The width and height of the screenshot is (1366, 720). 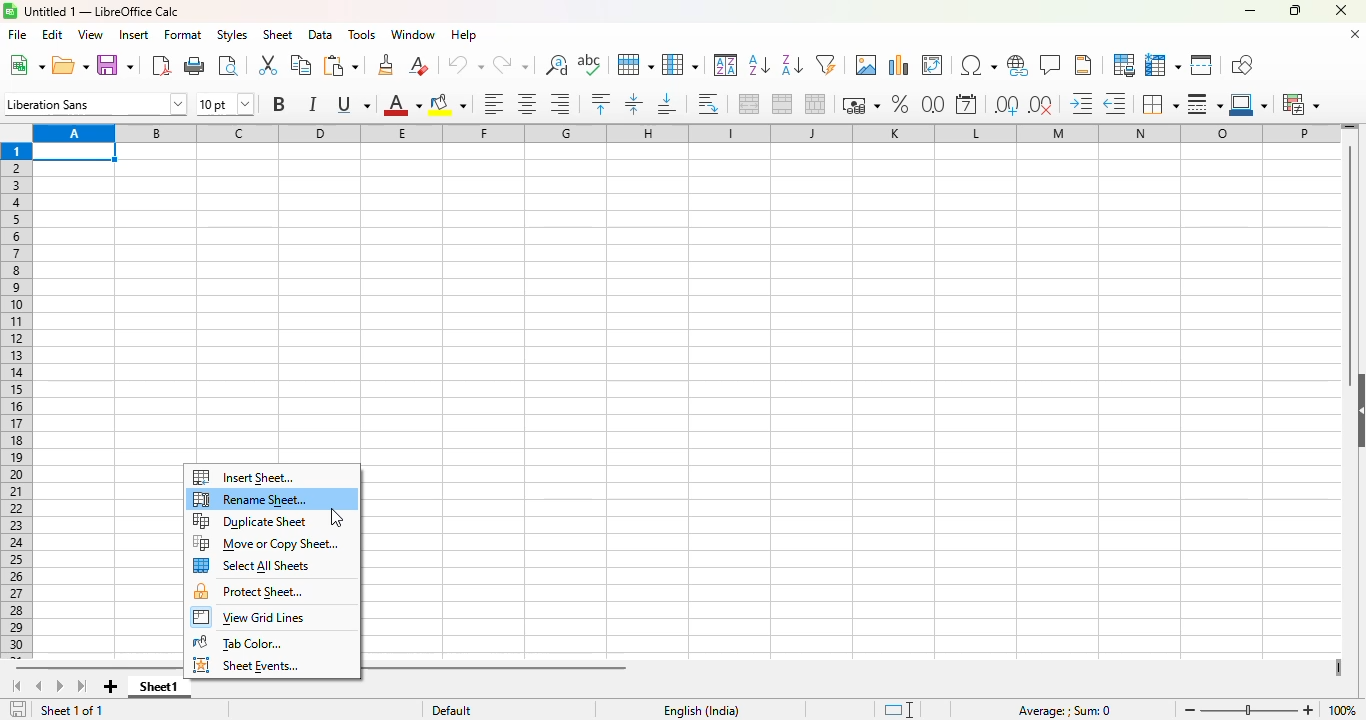 What do you see at coordinates (238, 642) in the screenshot?
I see `tab color` at bounding box center [238, 642].